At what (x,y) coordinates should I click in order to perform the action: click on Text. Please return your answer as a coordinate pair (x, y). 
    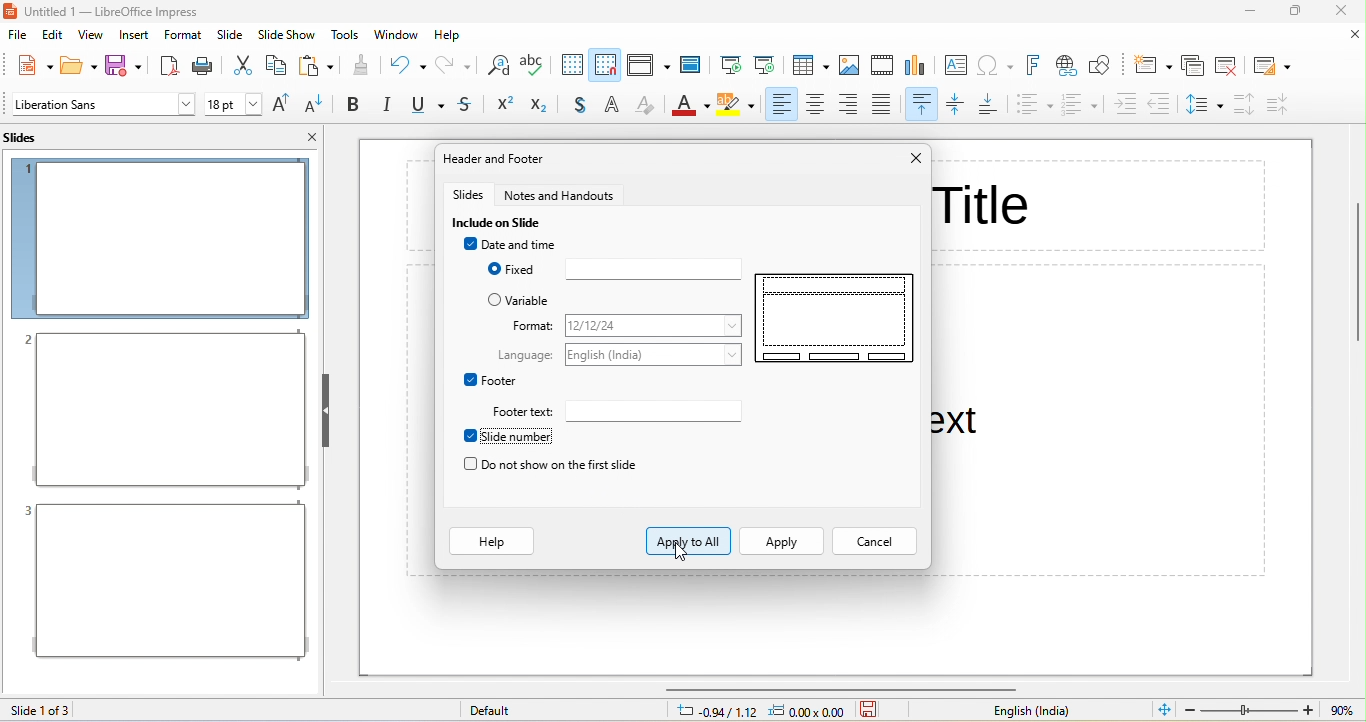
    Looking at the image, I should click on (956, 420).